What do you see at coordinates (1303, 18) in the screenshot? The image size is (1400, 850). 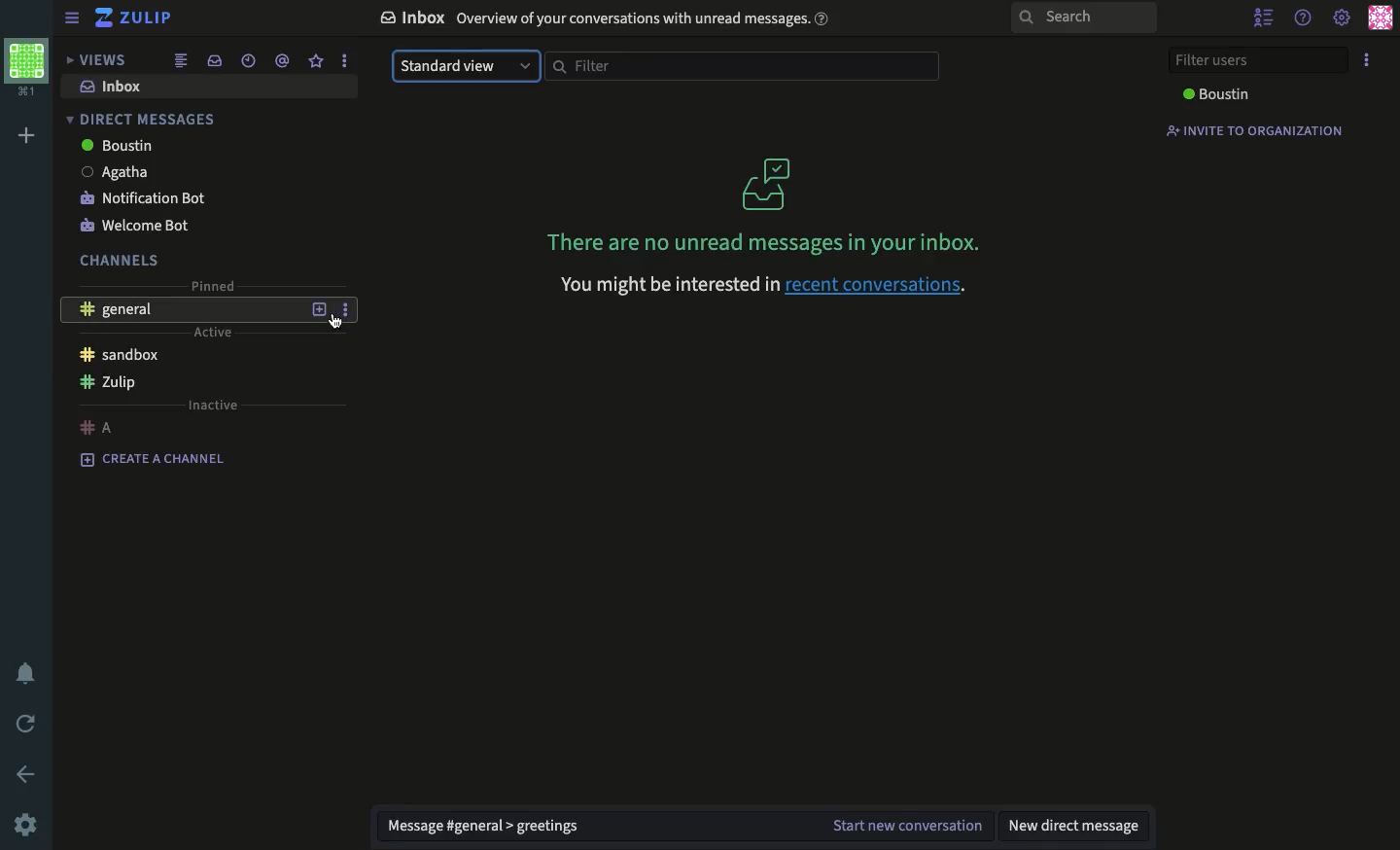 I see `help` at bounding box center [1303, 18].